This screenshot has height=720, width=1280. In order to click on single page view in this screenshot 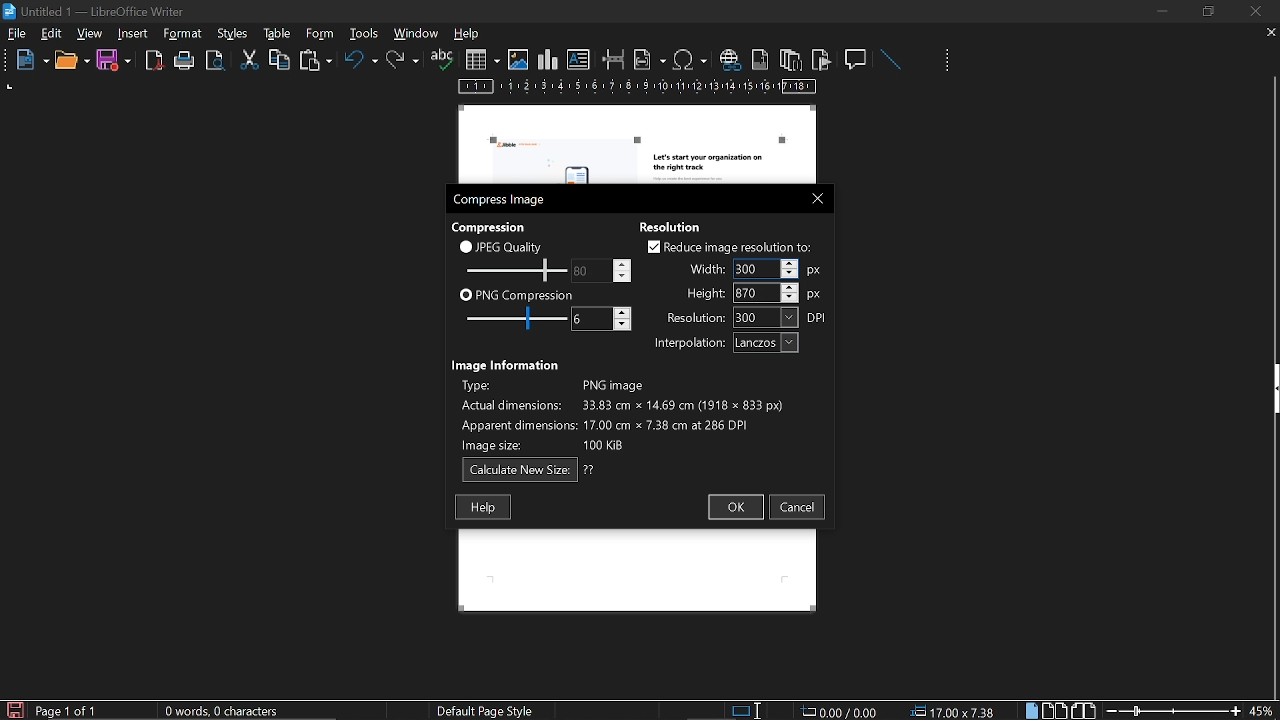, I will do `click(1034, 710)`.